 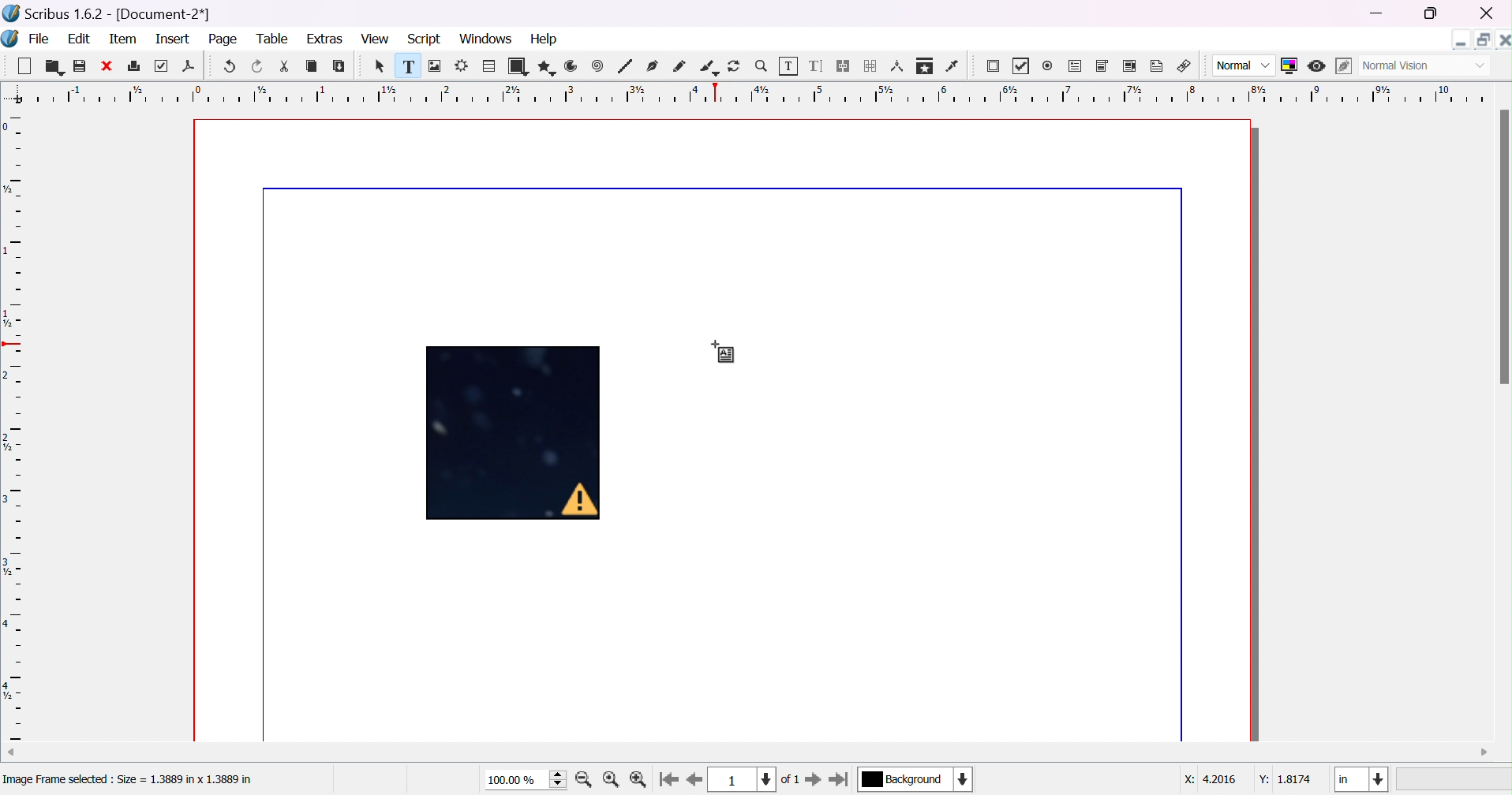 What do you see at coordinates (812, 779) in the screenshot?
I see `go to next page` at bounding box center [812, 779].